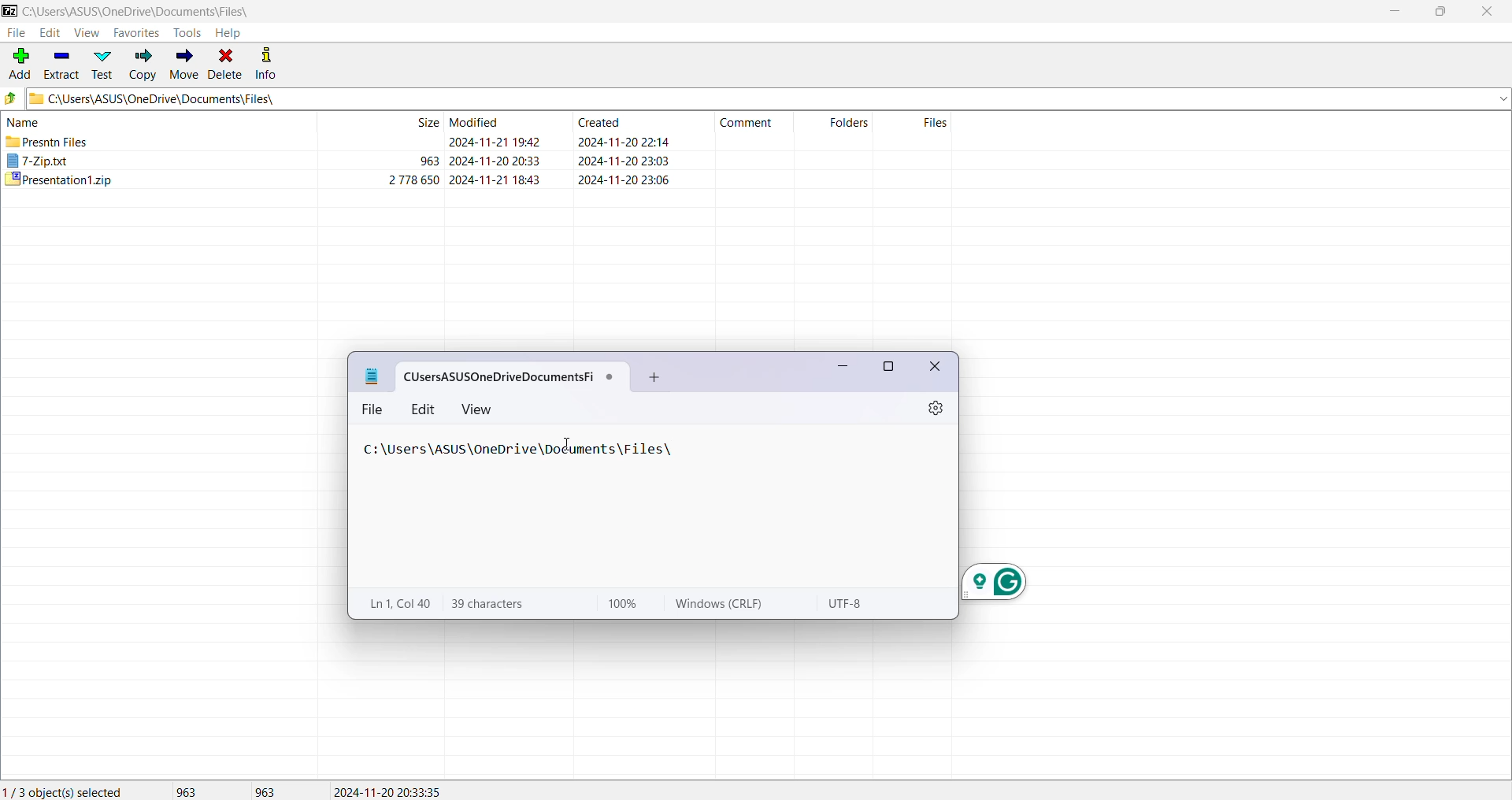  What do you see at coordinates (850, 602) in the screenshot?
I see `utf-8` at bounding box center [850, 602].